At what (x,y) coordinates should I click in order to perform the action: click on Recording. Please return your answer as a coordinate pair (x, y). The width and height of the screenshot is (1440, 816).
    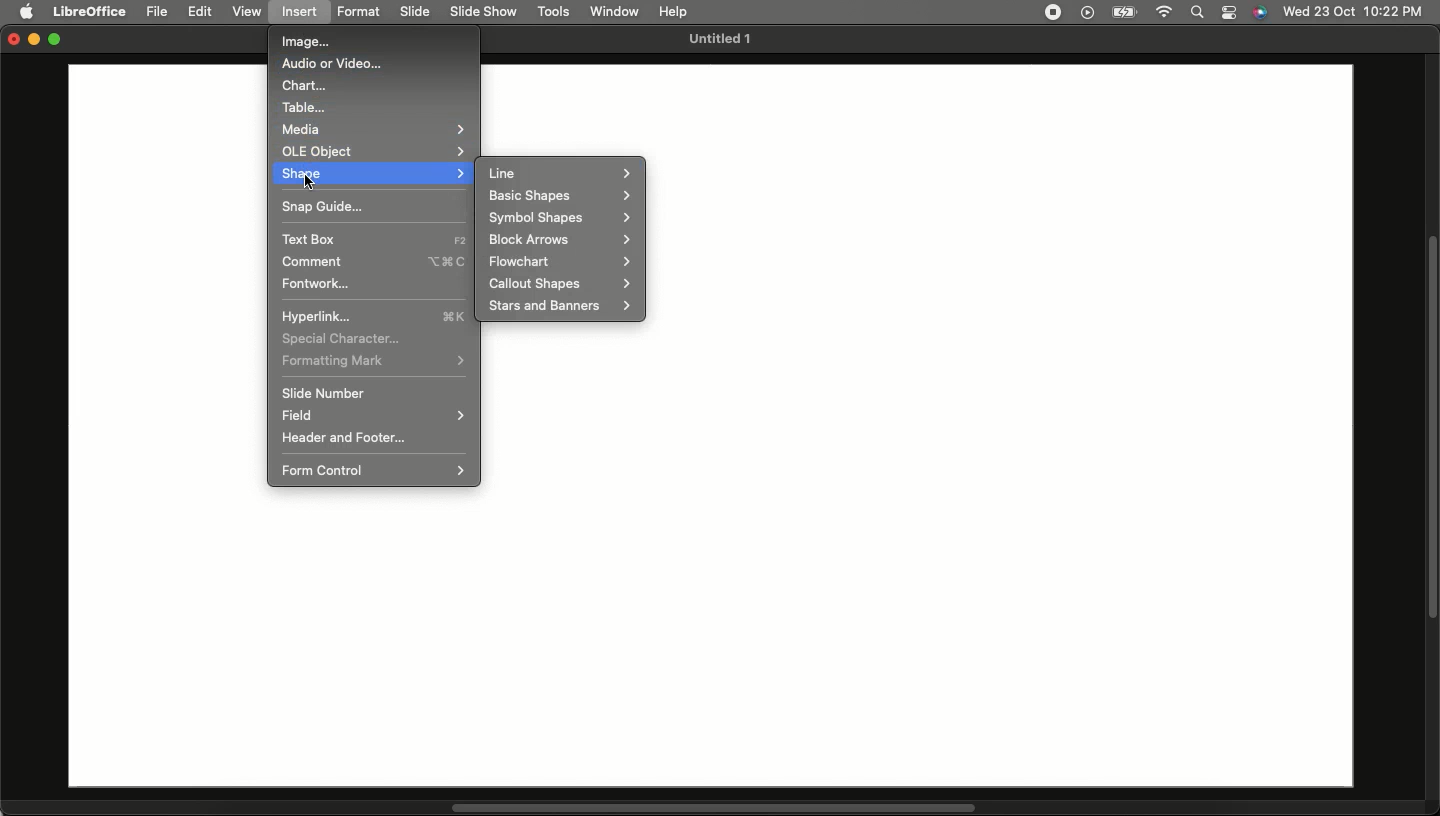
    Looking at the image, I should click on (1052, 11).